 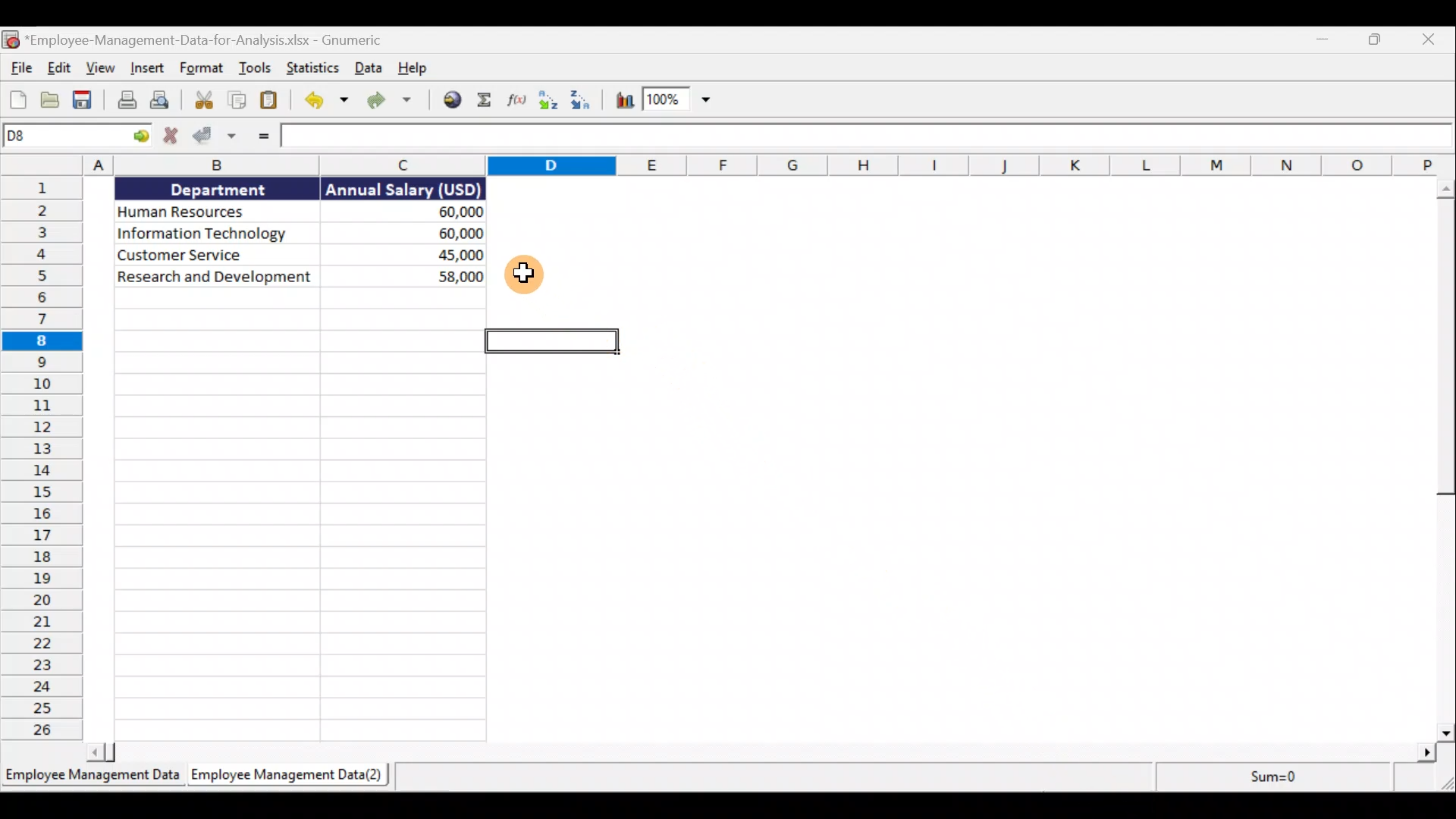 I want to click on Sort Ascending, so click(x=549, y=103).